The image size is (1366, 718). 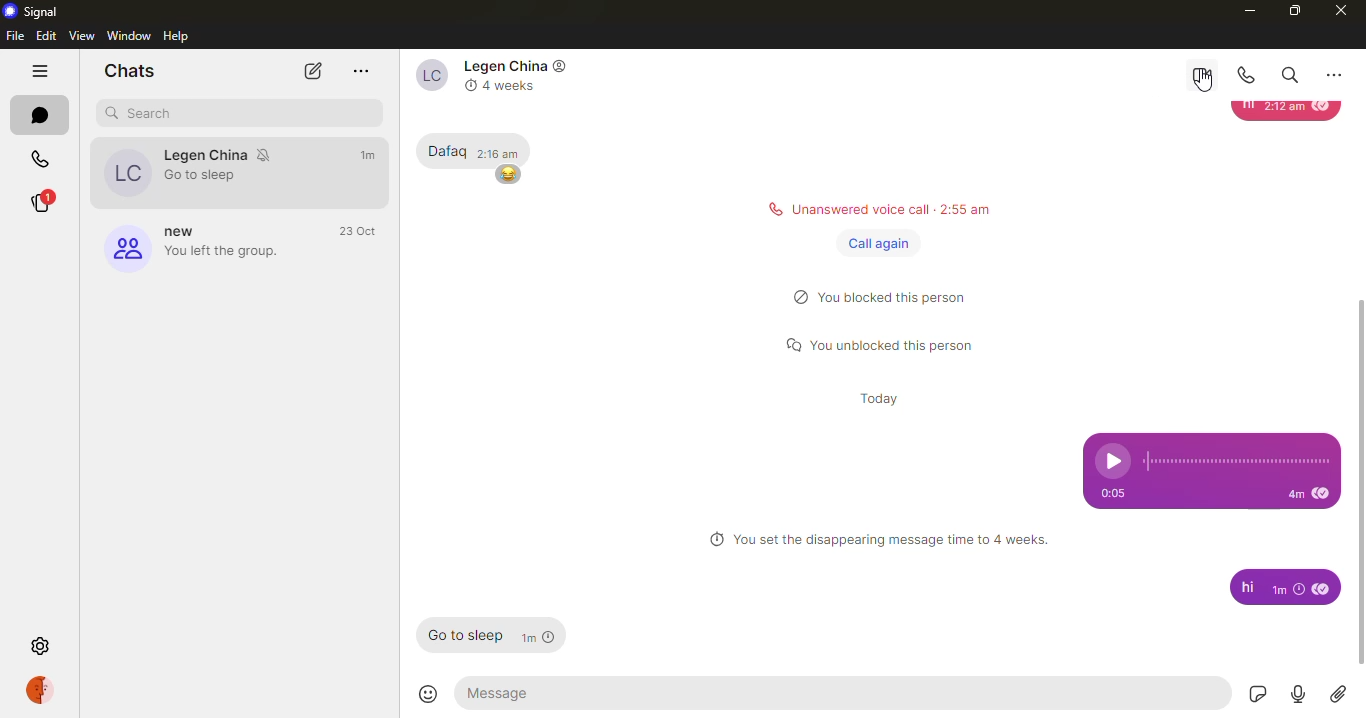 What do you see at coordinates (203, 176) in the screenshot?
I see `Go to sleep` at bounding box center [203, 176].